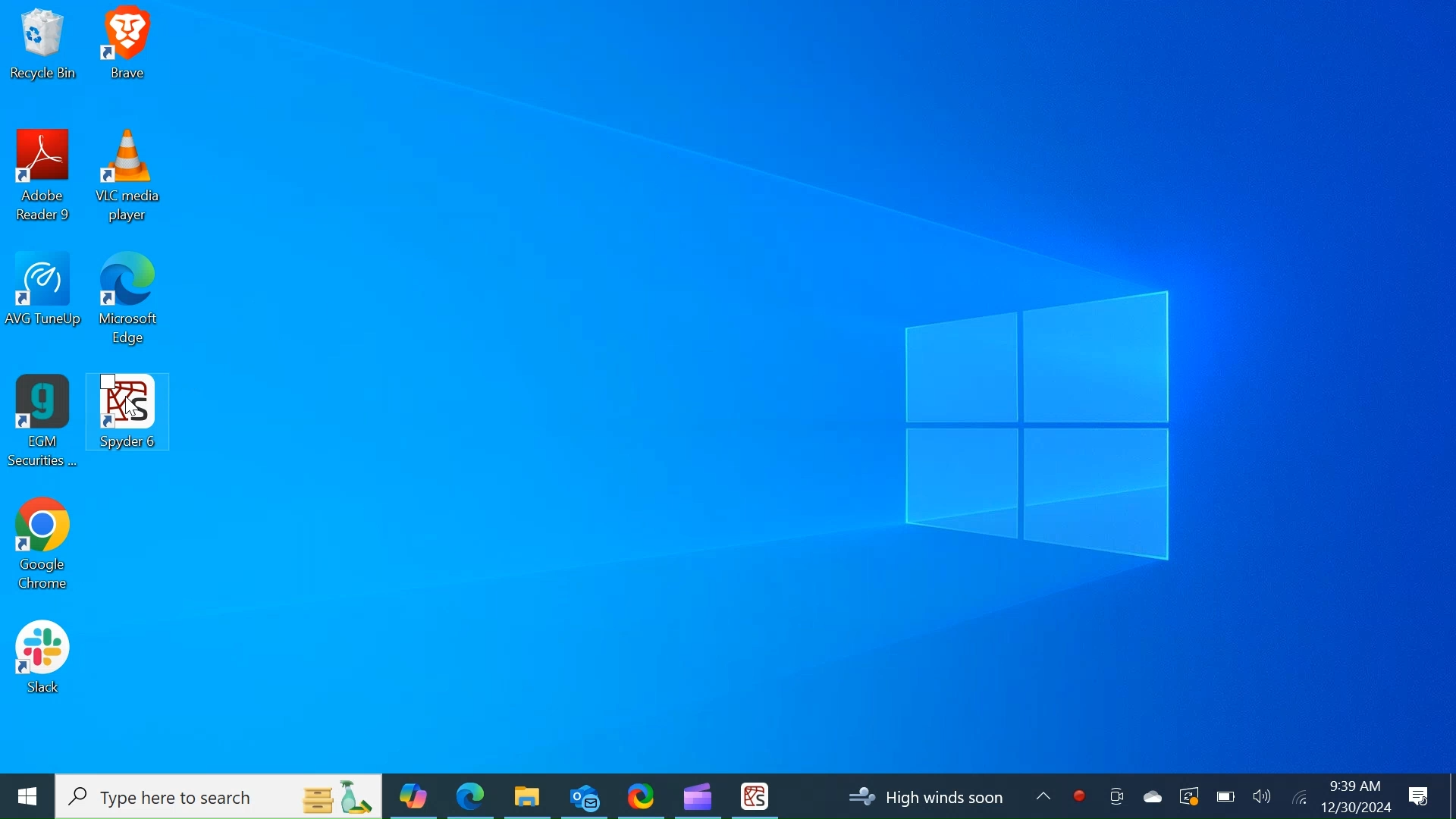 This screenshot has height=819, width=1456. Describe the element at coordinates (1262, 795) in the screenshot. I see `Speaker` at that location.